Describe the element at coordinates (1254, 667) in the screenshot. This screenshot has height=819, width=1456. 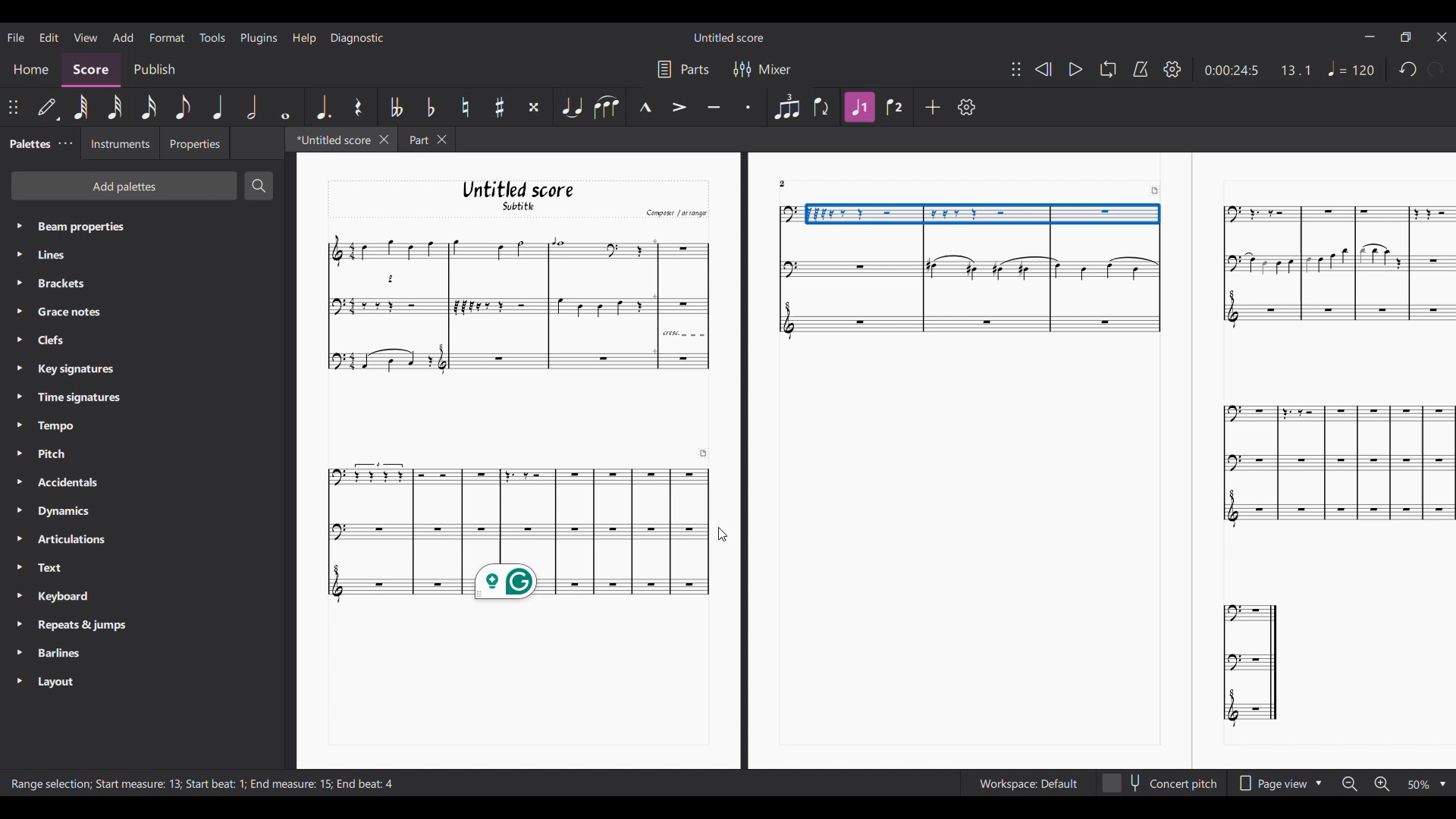
I see `Graph` at that location.